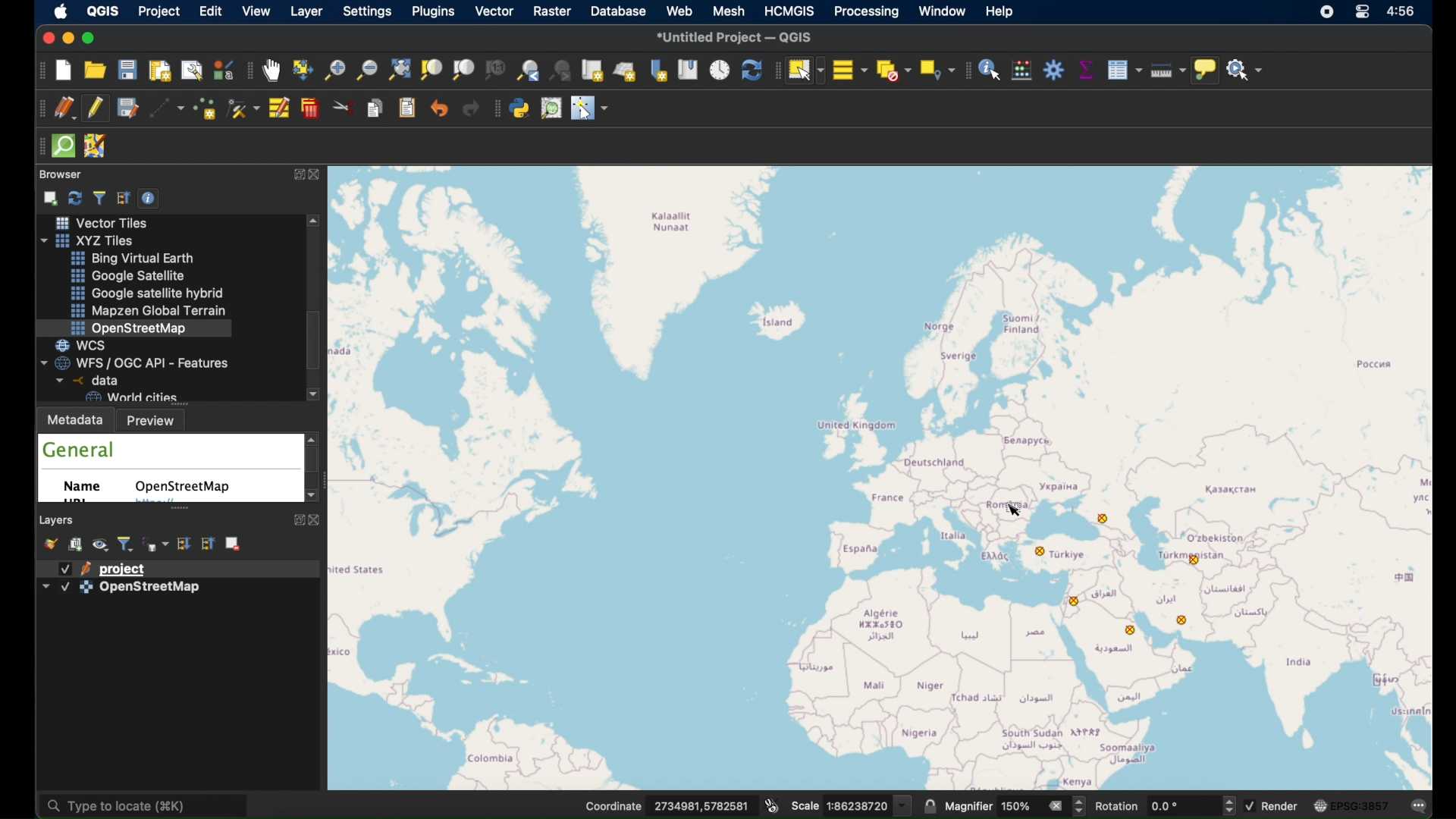 The width and height of the screenshot is (1456, 819). What do you see at coordinates (903, 805) in the screenshot?
I see `dropdown` at bounding box center [903, 805].